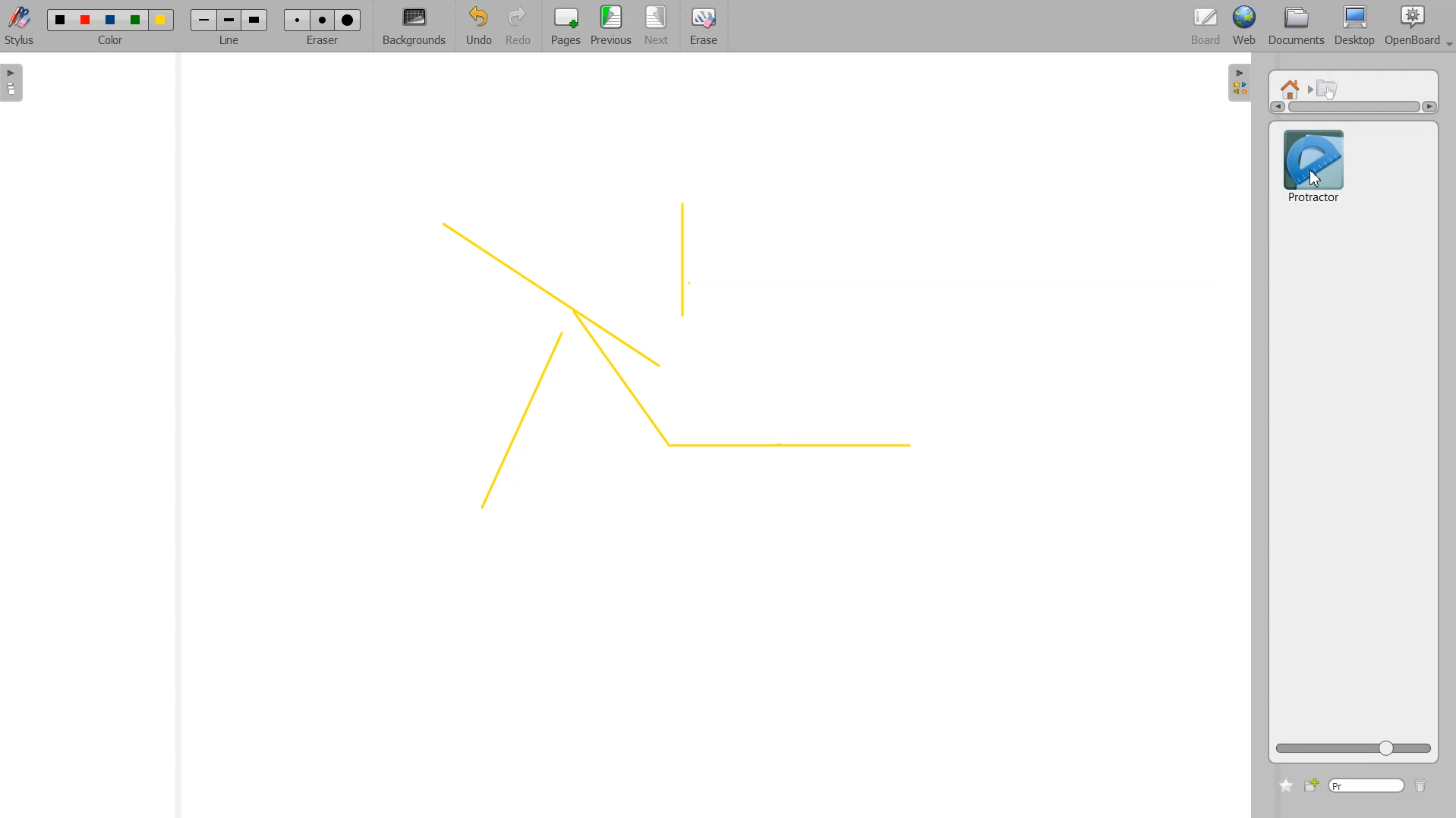 The height and width of the screenshot is (818, 1456). What do you see at coordinates (17, 83) in the screenshot?
I see `Sidebar` at bounding box center [17, 83].